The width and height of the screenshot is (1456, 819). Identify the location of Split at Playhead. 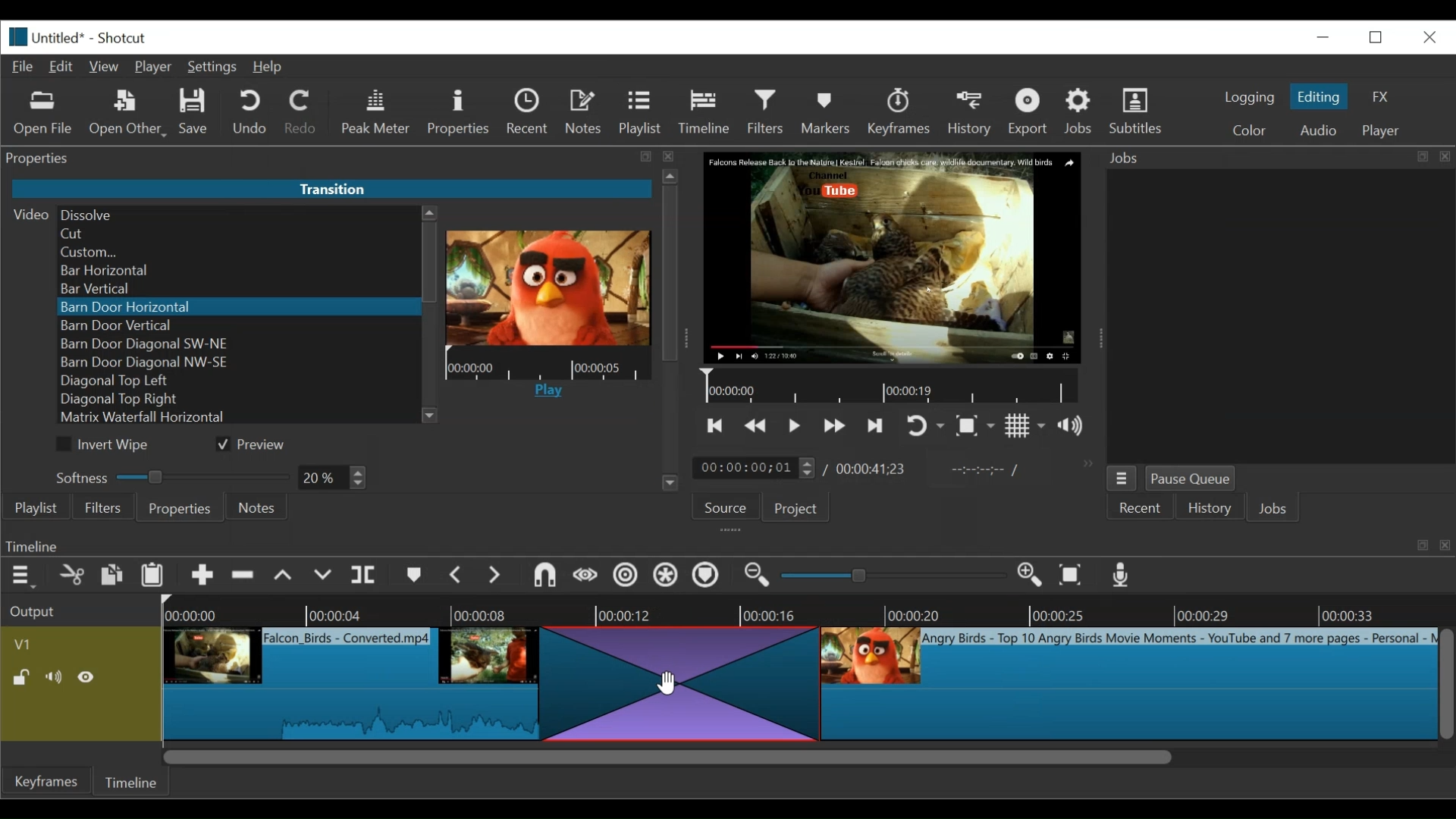
(366, 574).